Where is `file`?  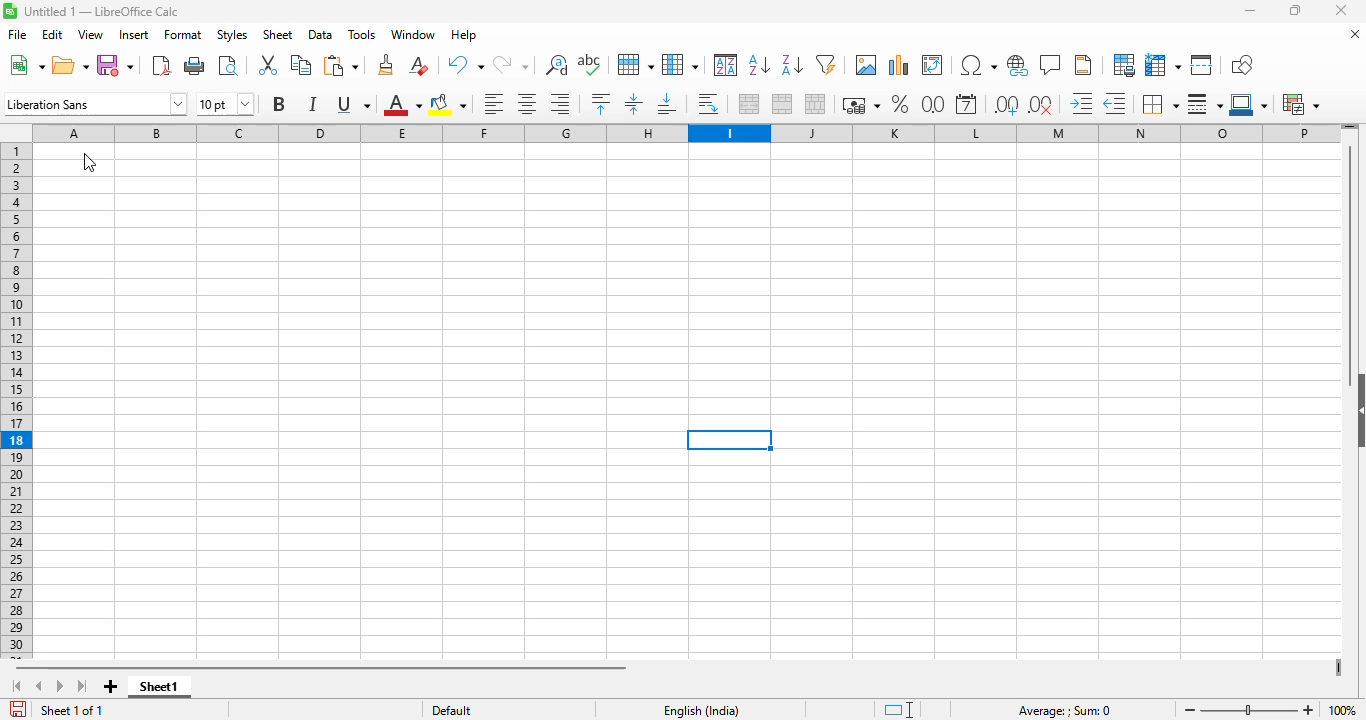 file is located at coordinates (18, 34).